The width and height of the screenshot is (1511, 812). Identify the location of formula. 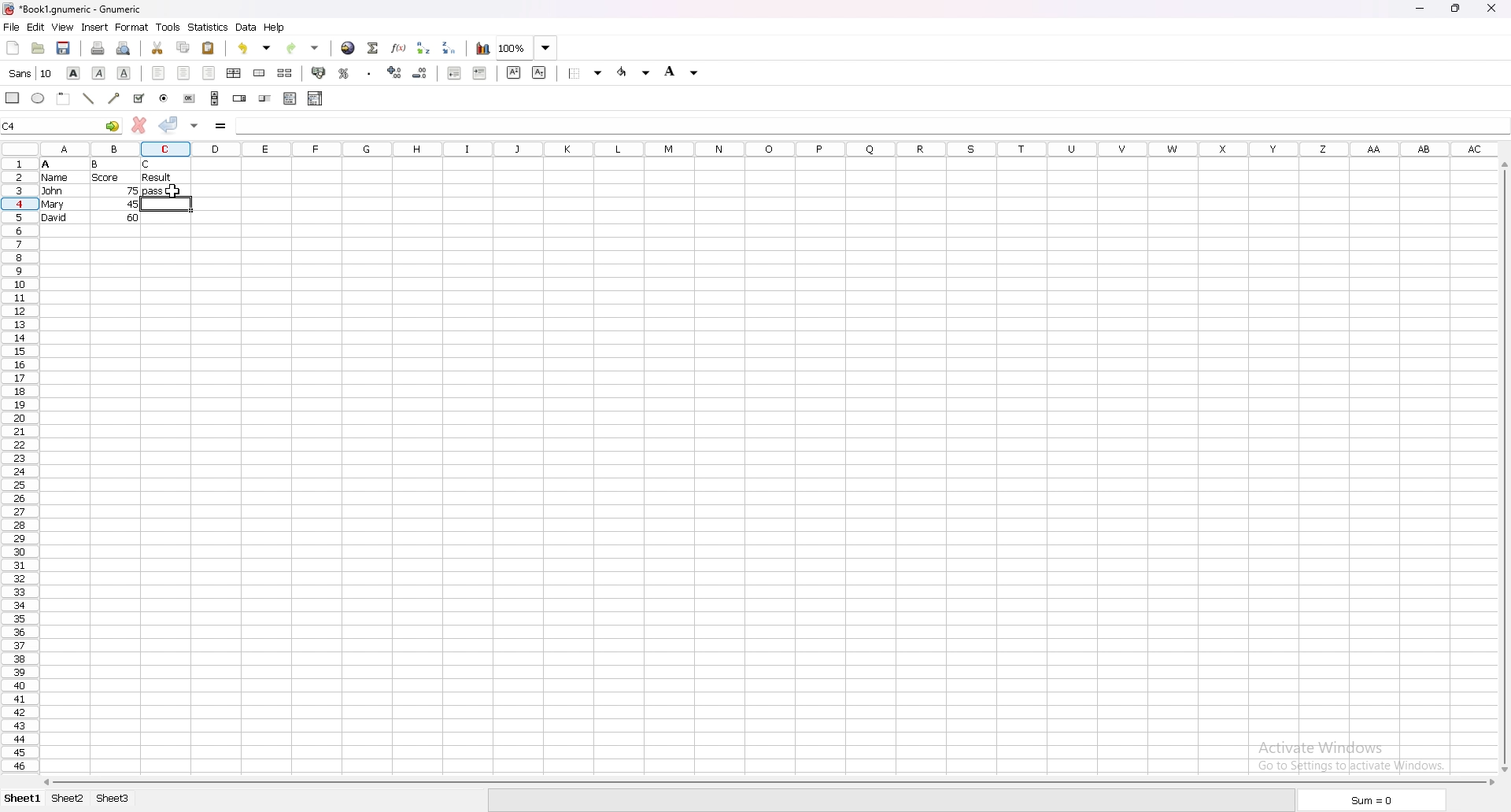
(222, 127).